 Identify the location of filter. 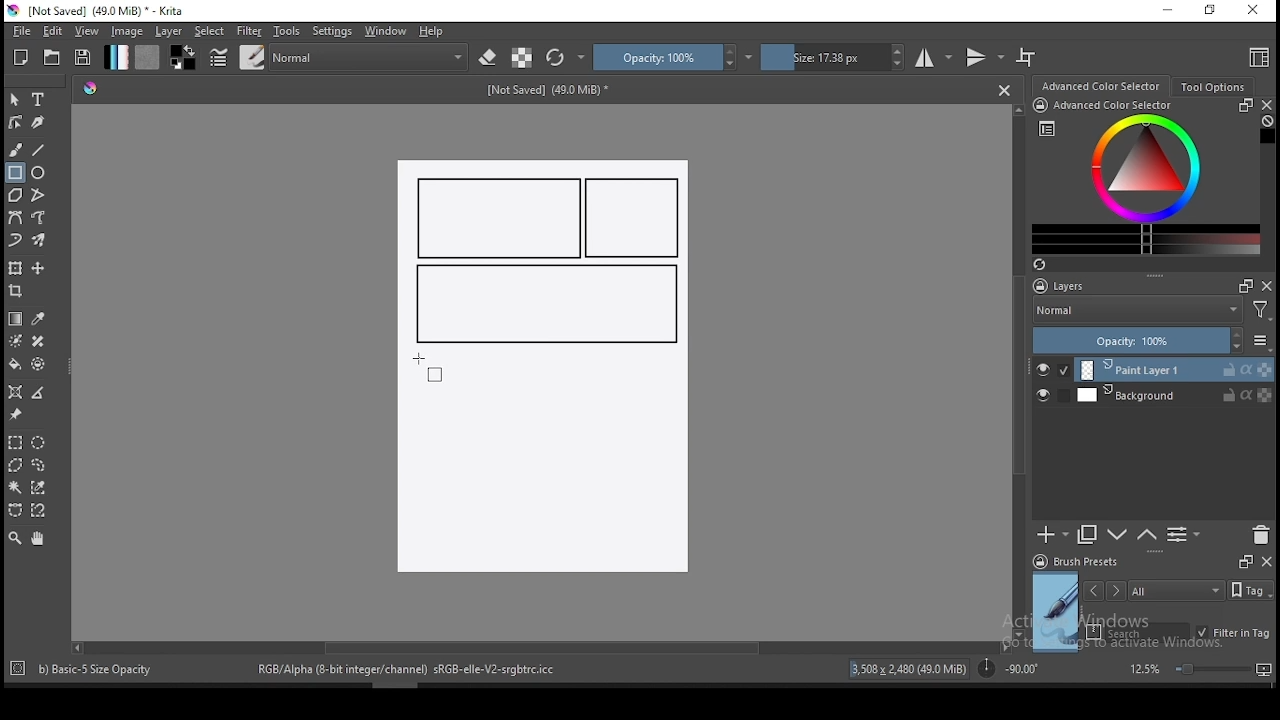
(248, 31).